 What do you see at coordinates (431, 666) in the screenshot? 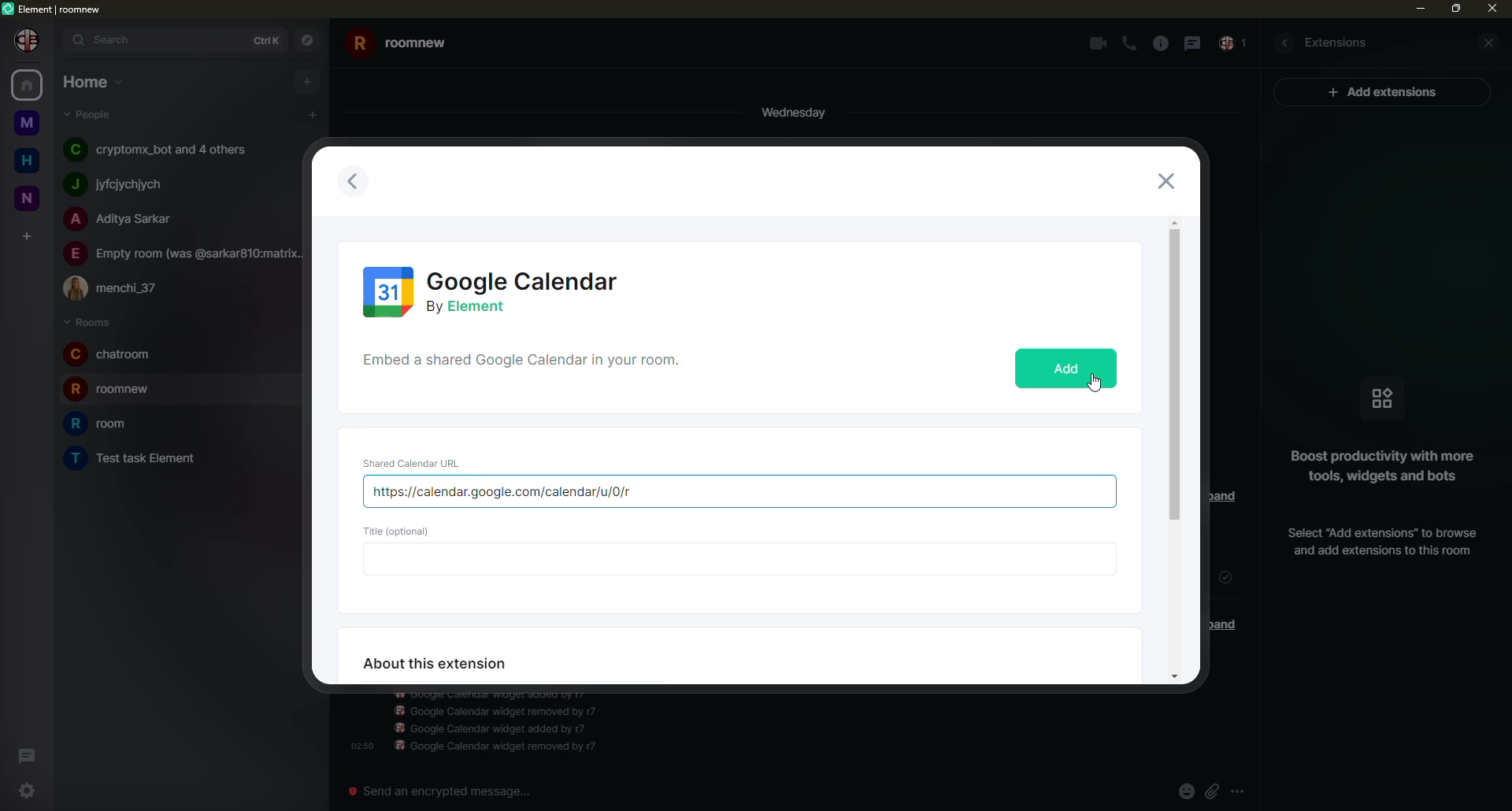
I see `about` at bounding box center [431, 666].